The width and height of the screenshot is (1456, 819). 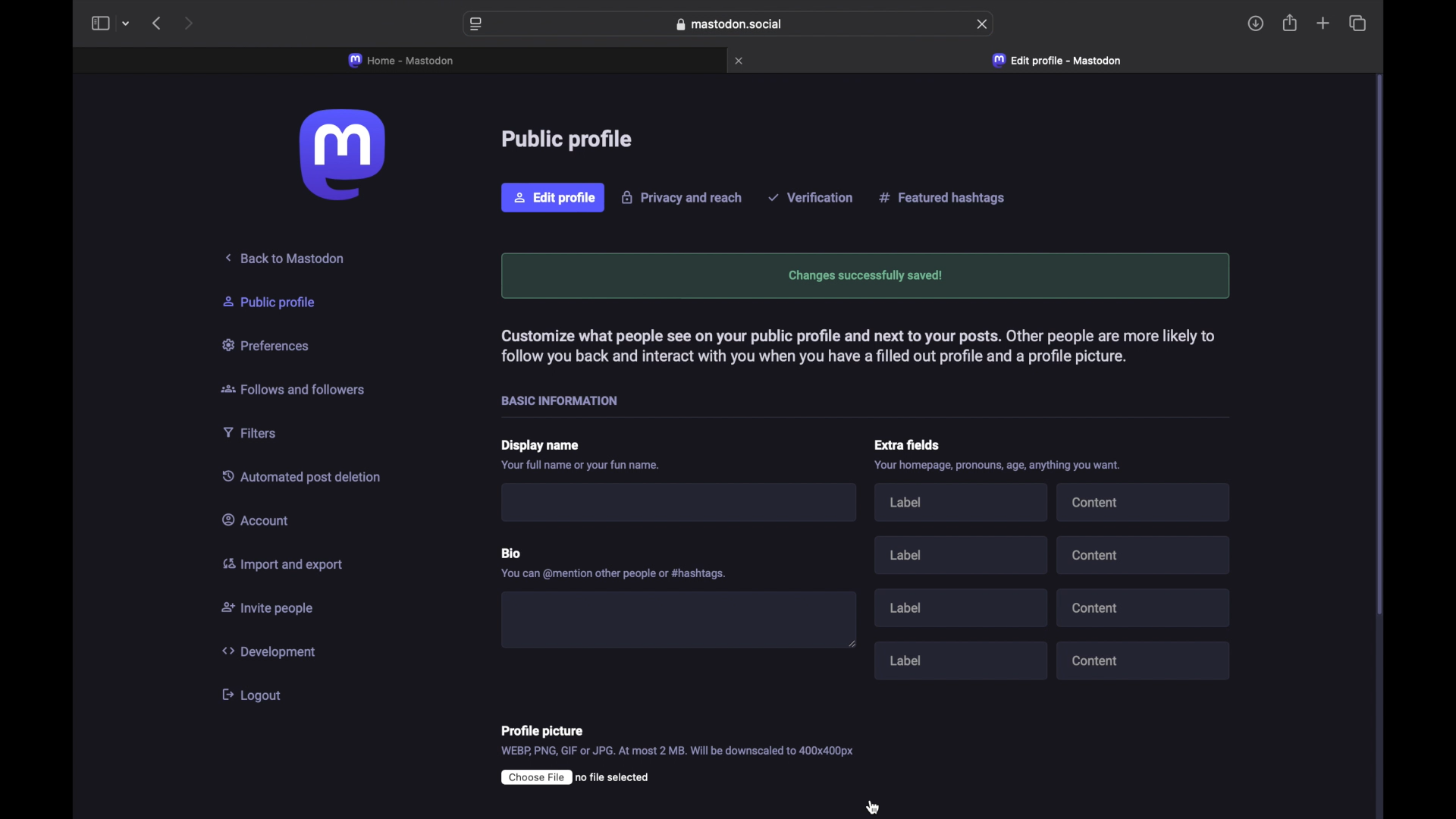 I want to click on Edit profile., so click(x=551, y=197).